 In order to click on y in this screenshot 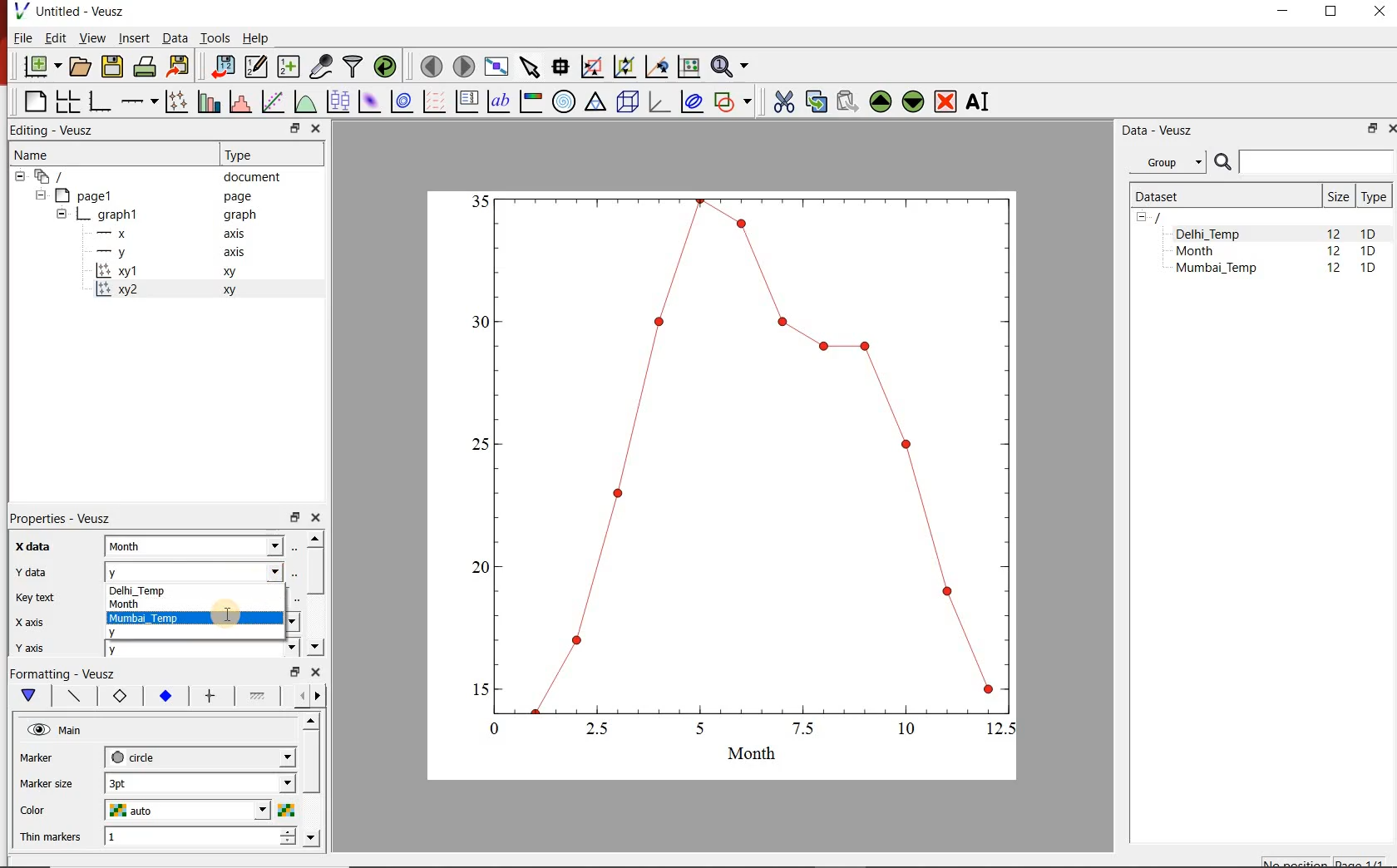, I will do `click(153, 634)`.